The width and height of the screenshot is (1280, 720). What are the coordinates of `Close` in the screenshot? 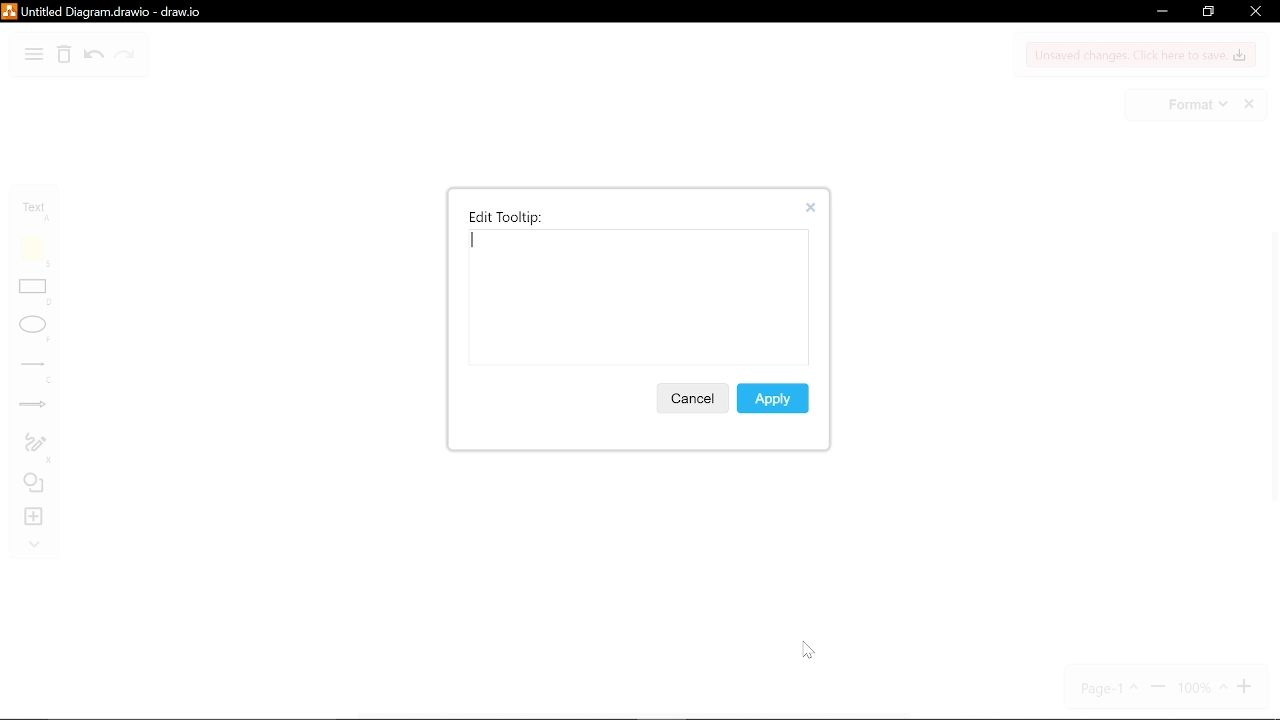 It's located at (816, 208).